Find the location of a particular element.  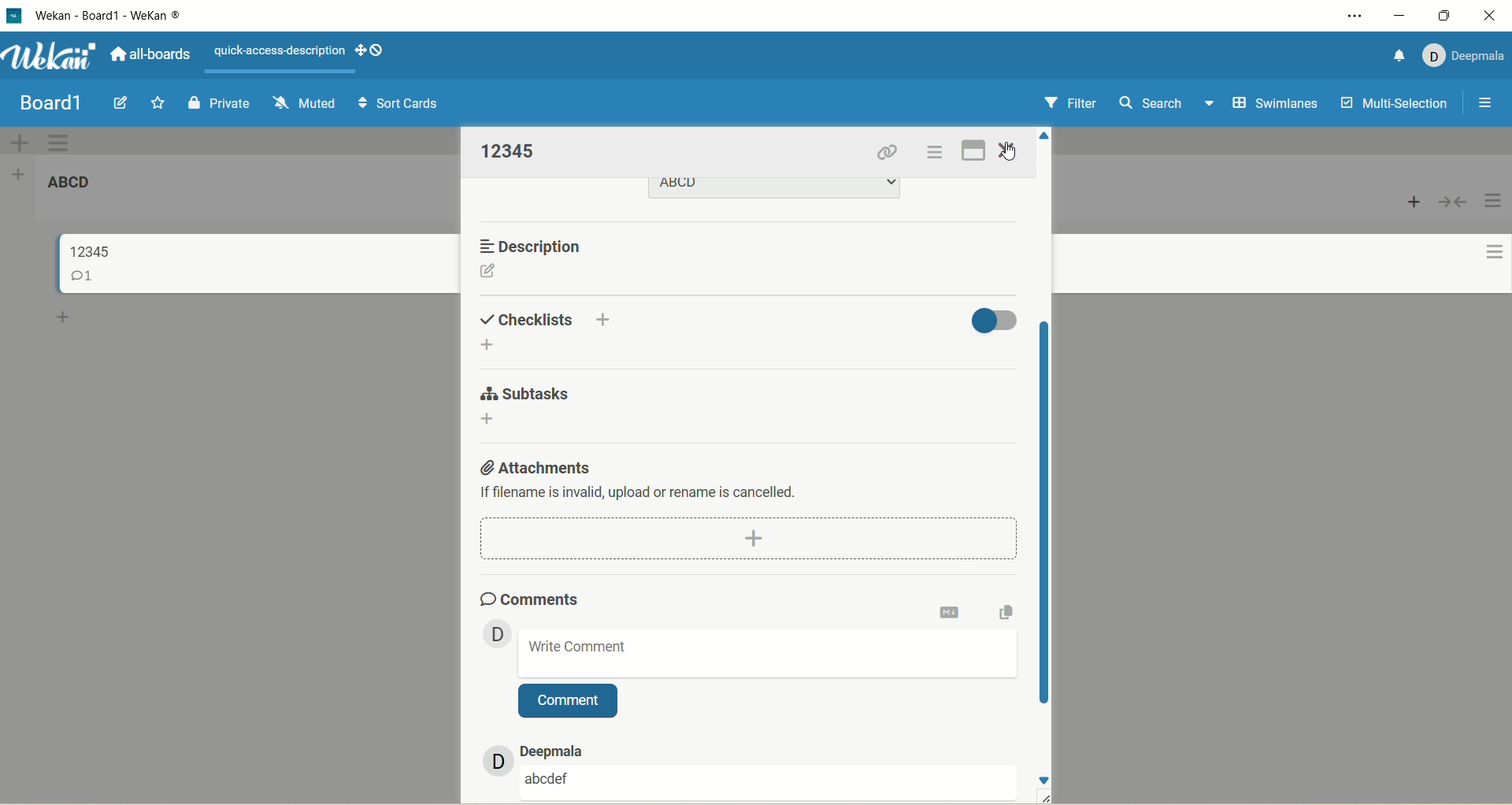

account is located at coordinates (1463, 52).